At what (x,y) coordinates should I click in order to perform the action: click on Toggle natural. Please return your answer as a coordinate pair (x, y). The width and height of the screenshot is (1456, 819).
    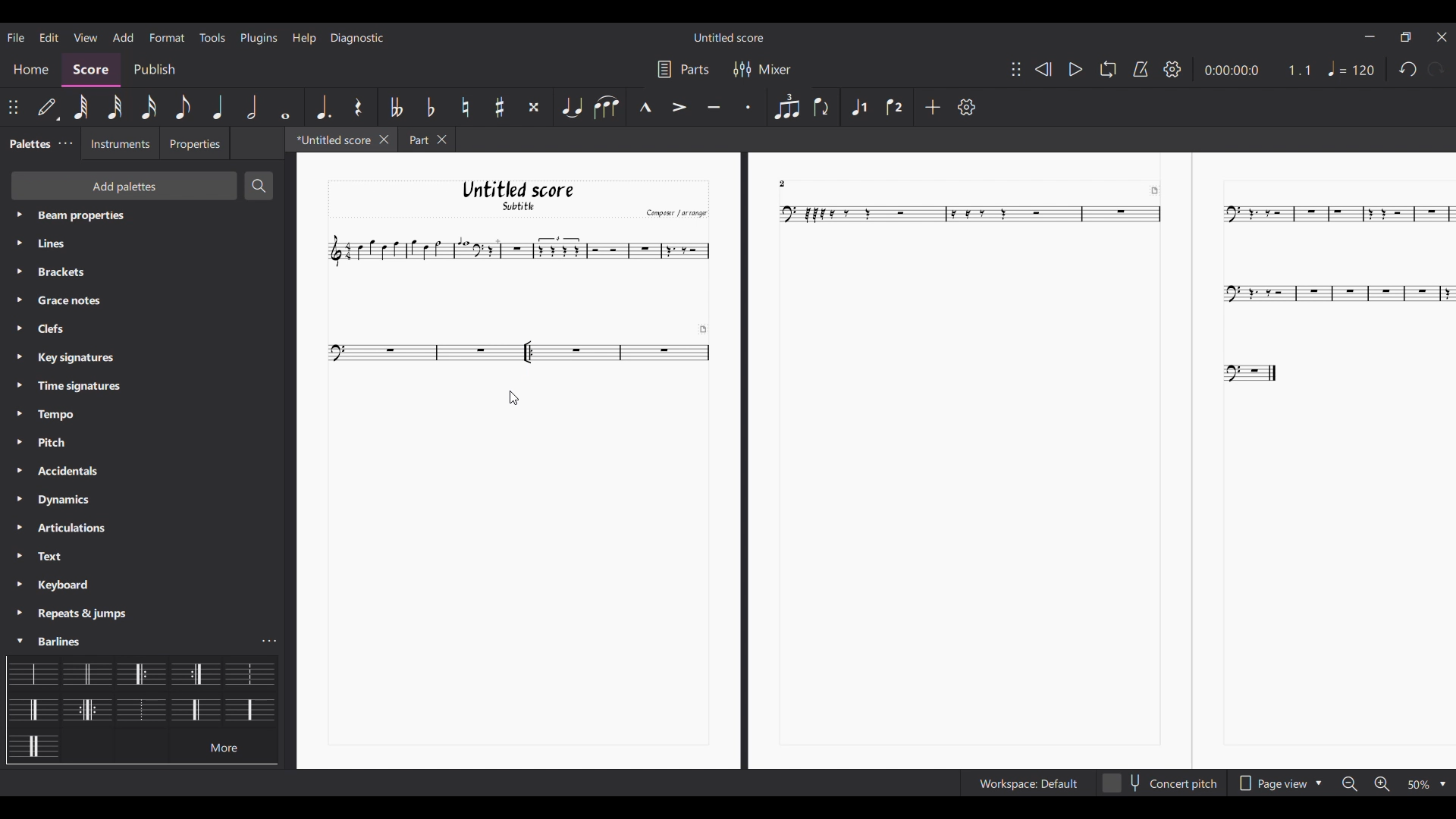
    Looking at the image, I should click on (466, 107).